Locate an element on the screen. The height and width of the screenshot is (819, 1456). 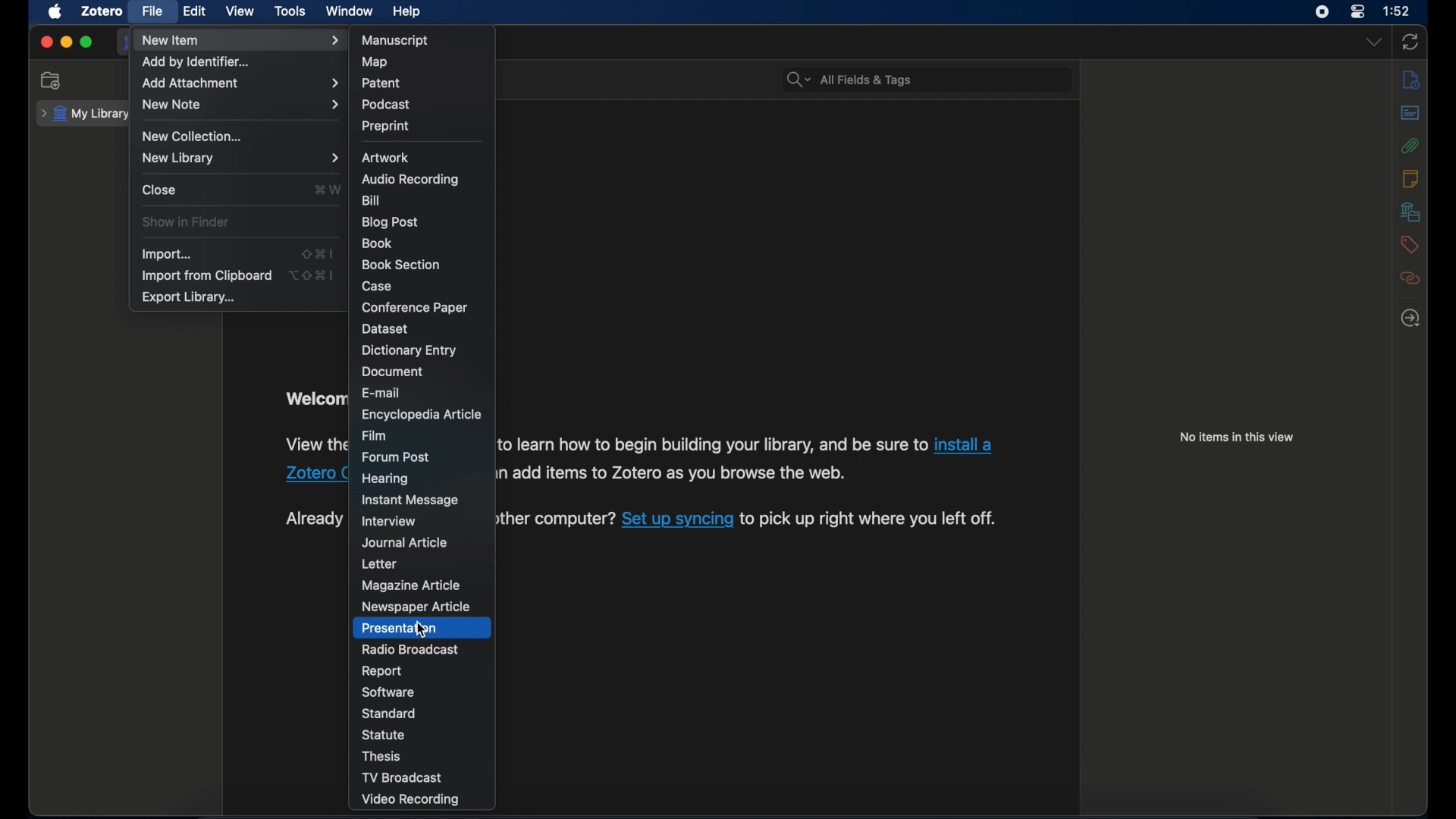
to pick up right where you left off. is located at coordinates (868, 519).